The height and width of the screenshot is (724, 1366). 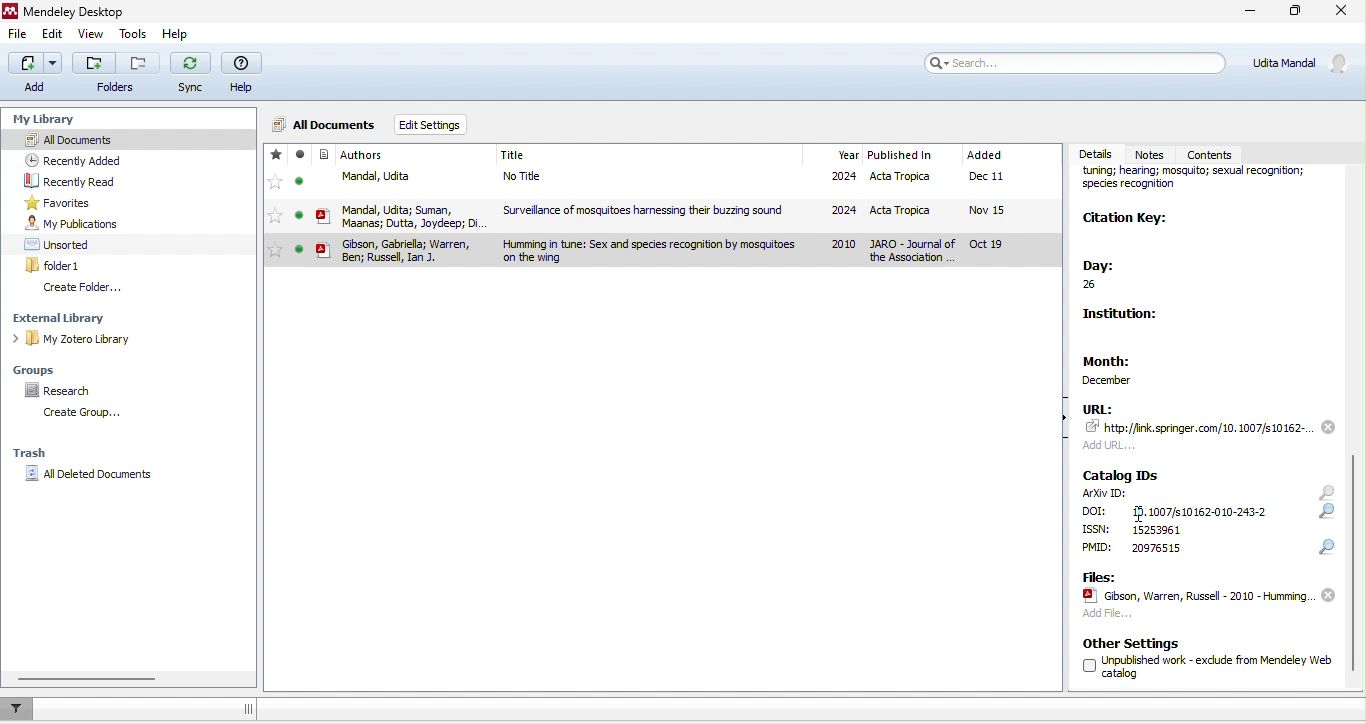 What do you see at coordinates (128, 139) in the screenshot?
I see `all documents` at bounding box center [128, 139].